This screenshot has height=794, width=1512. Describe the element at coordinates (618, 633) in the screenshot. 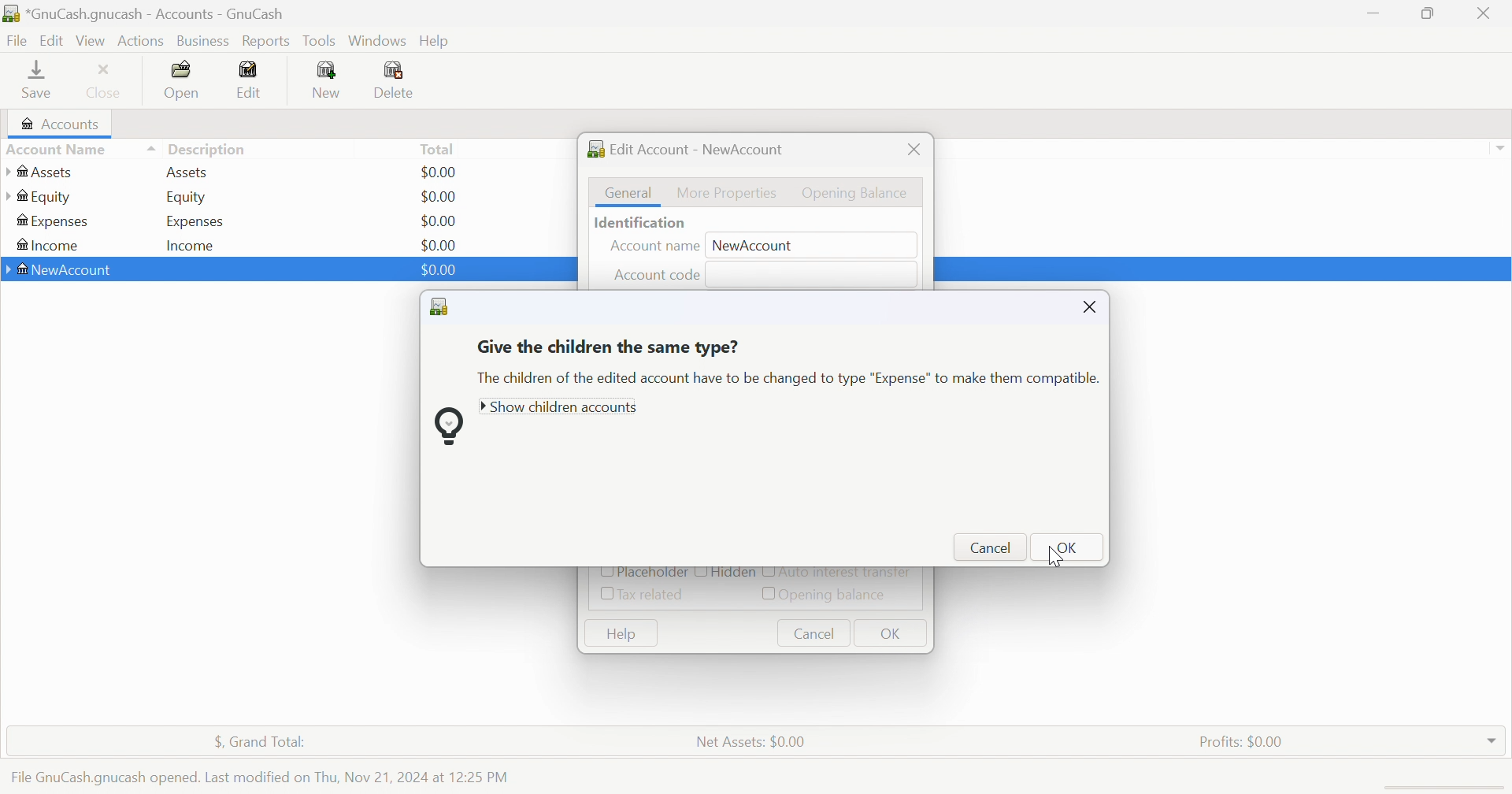

I see `Help` at that location.